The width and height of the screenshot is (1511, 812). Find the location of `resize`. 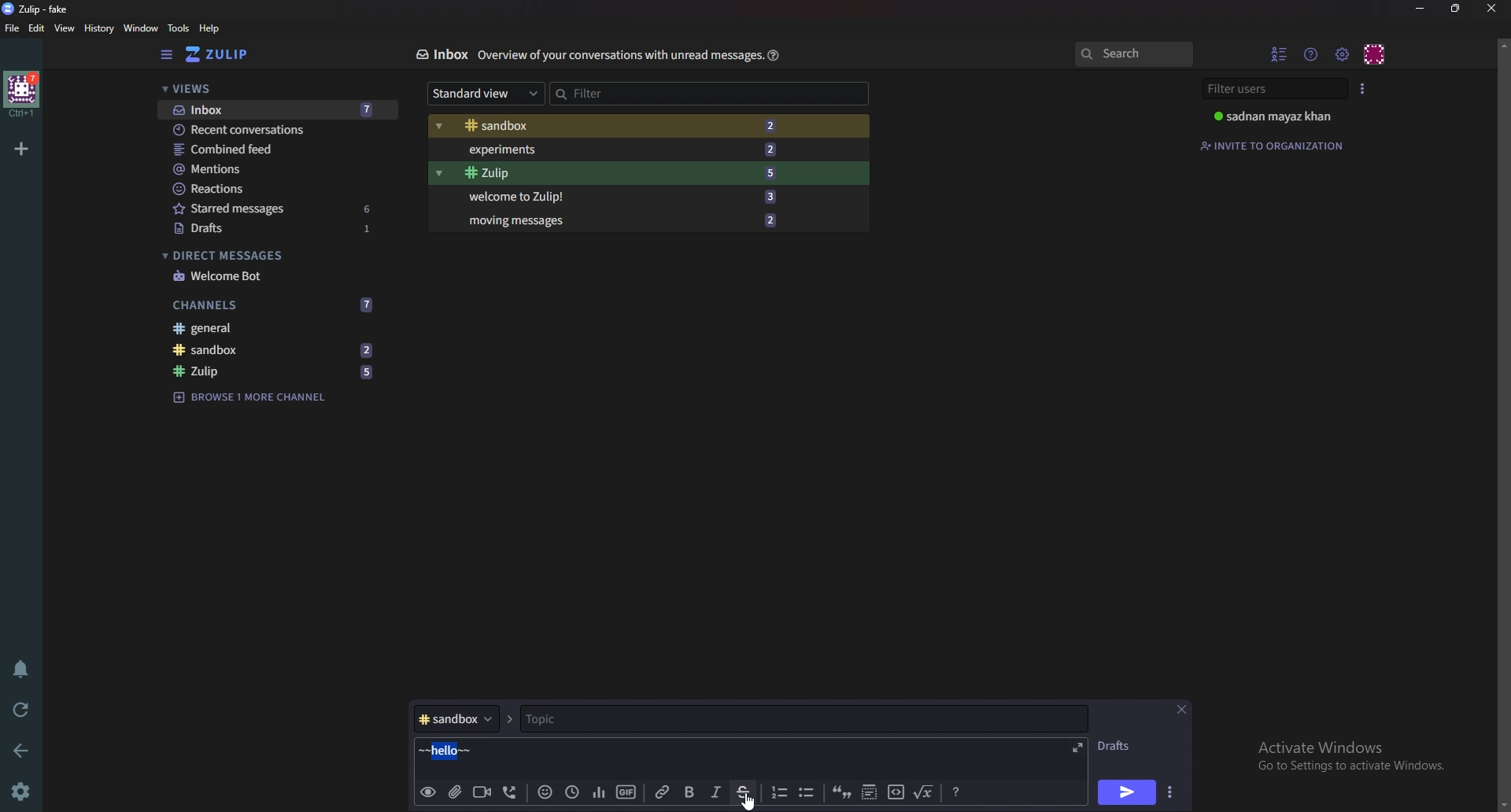

resize is located at coordinates (1454, 9).